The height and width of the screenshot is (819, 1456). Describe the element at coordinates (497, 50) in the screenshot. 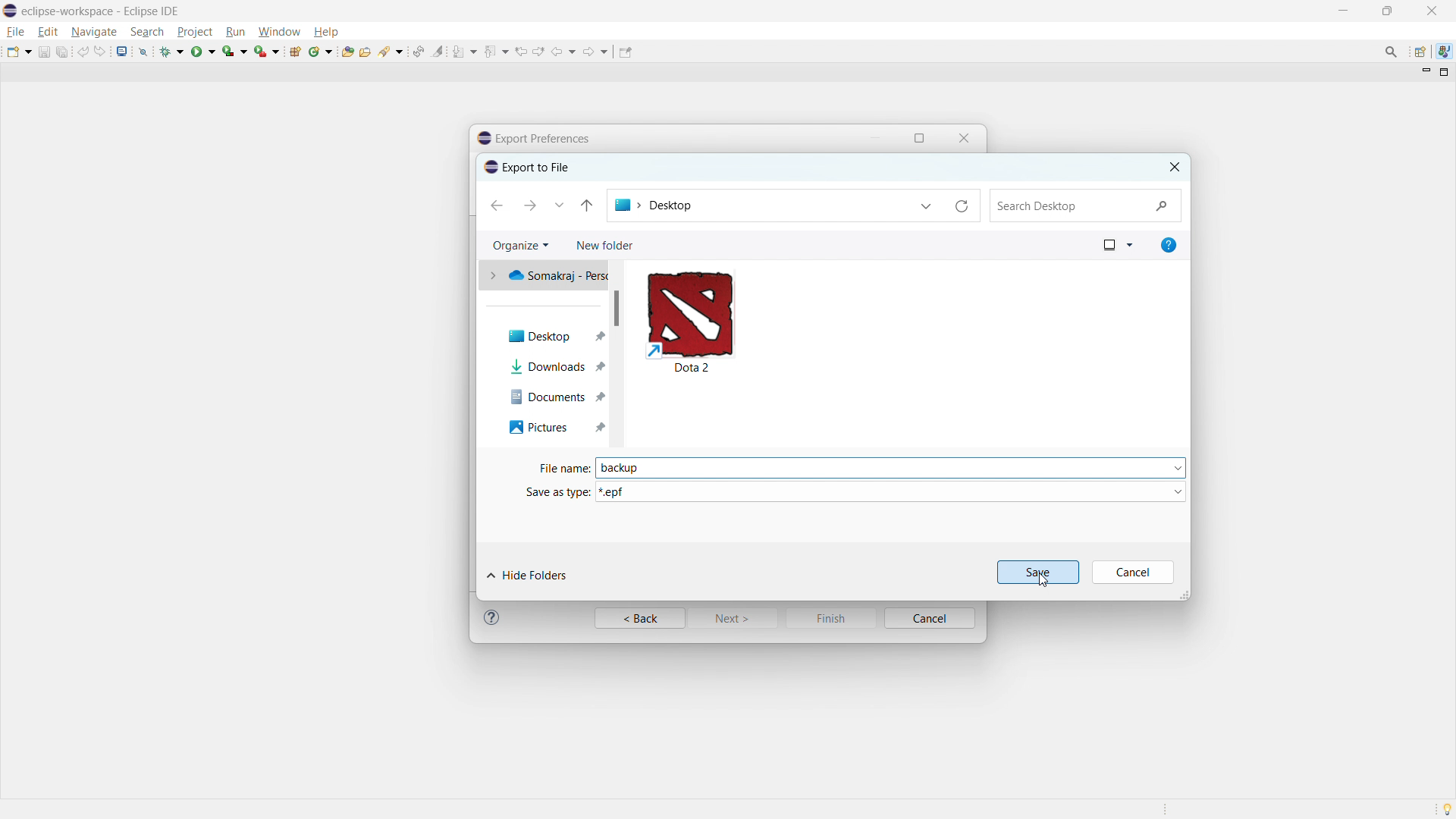

I see `previous annotation` at that location.